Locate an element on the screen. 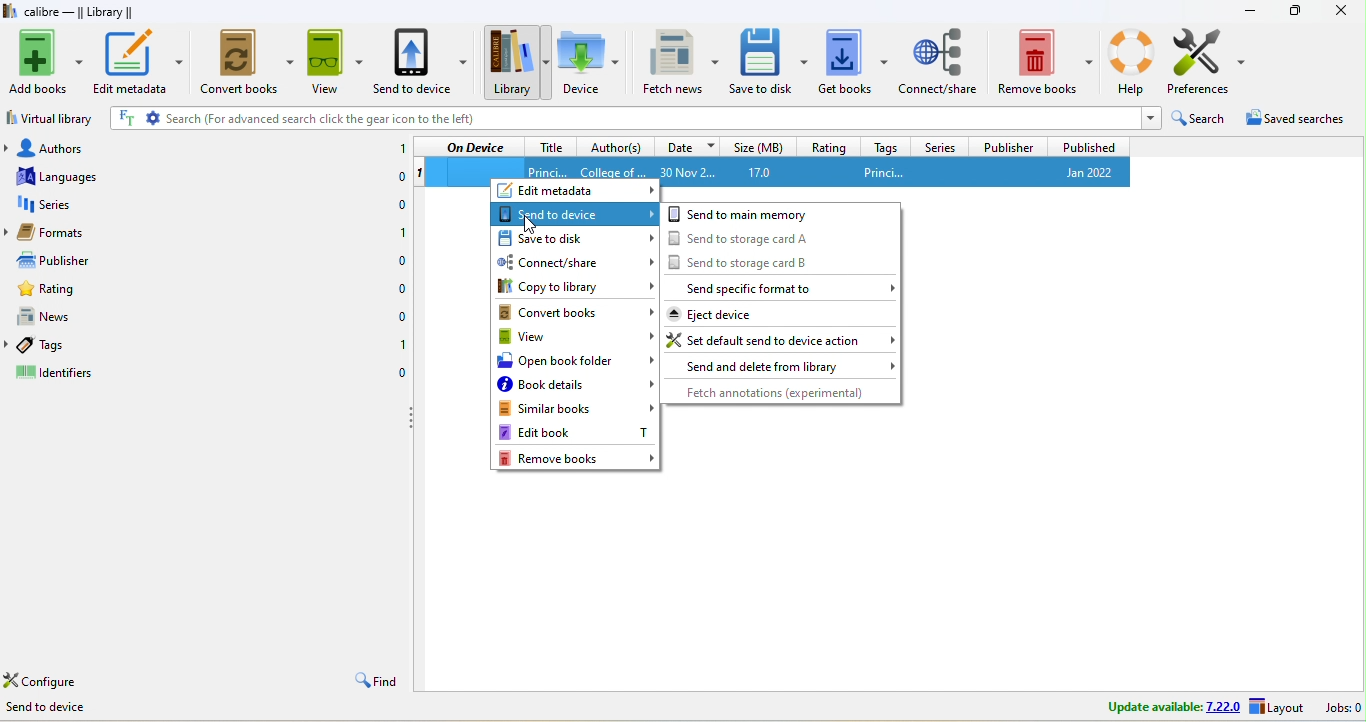 The image size is (1366, 722). jobs 0 is located at coordinates (1340, 708).